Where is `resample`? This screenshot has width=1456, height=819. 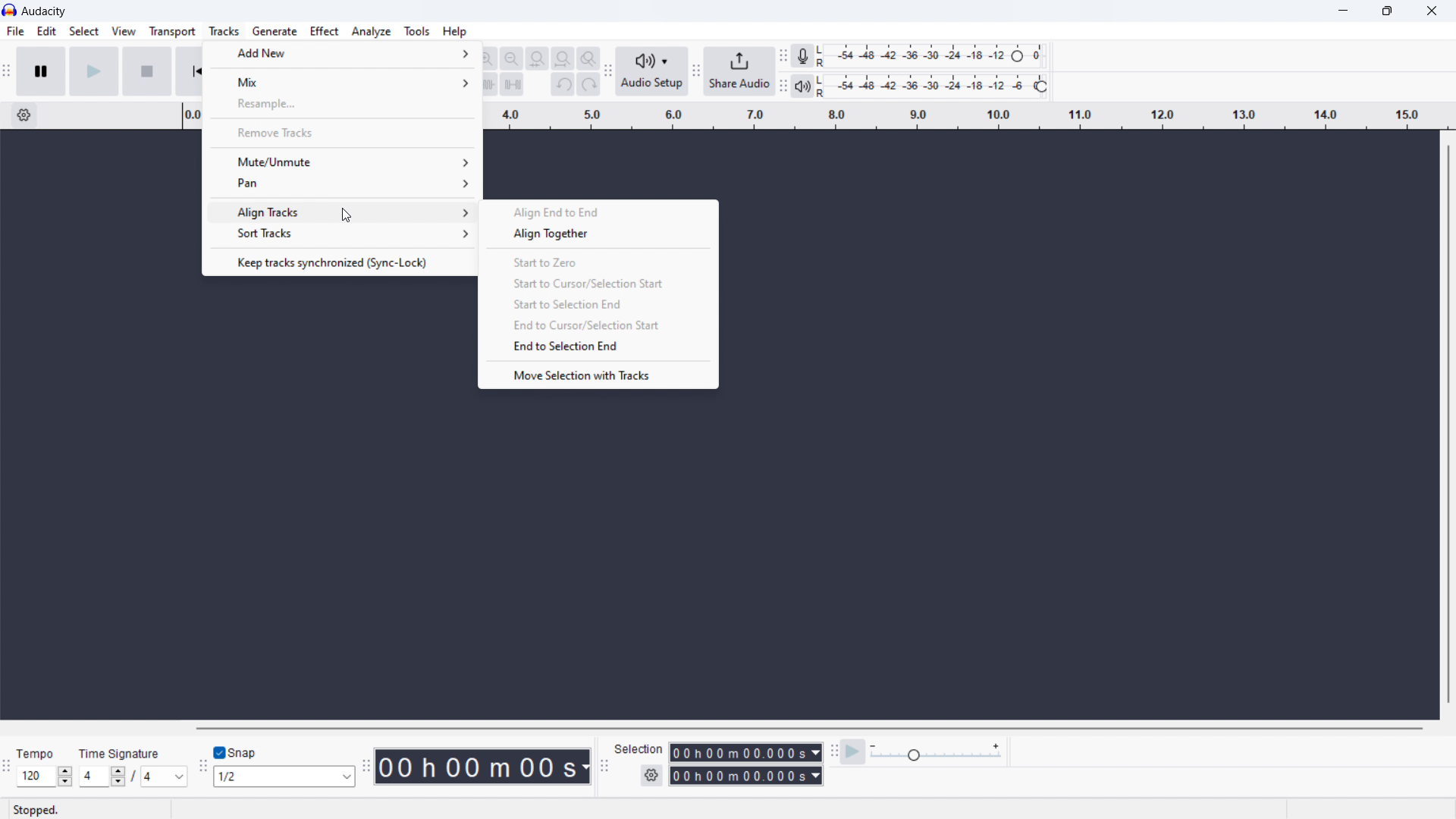
resample is located at coordinates (342, 104).